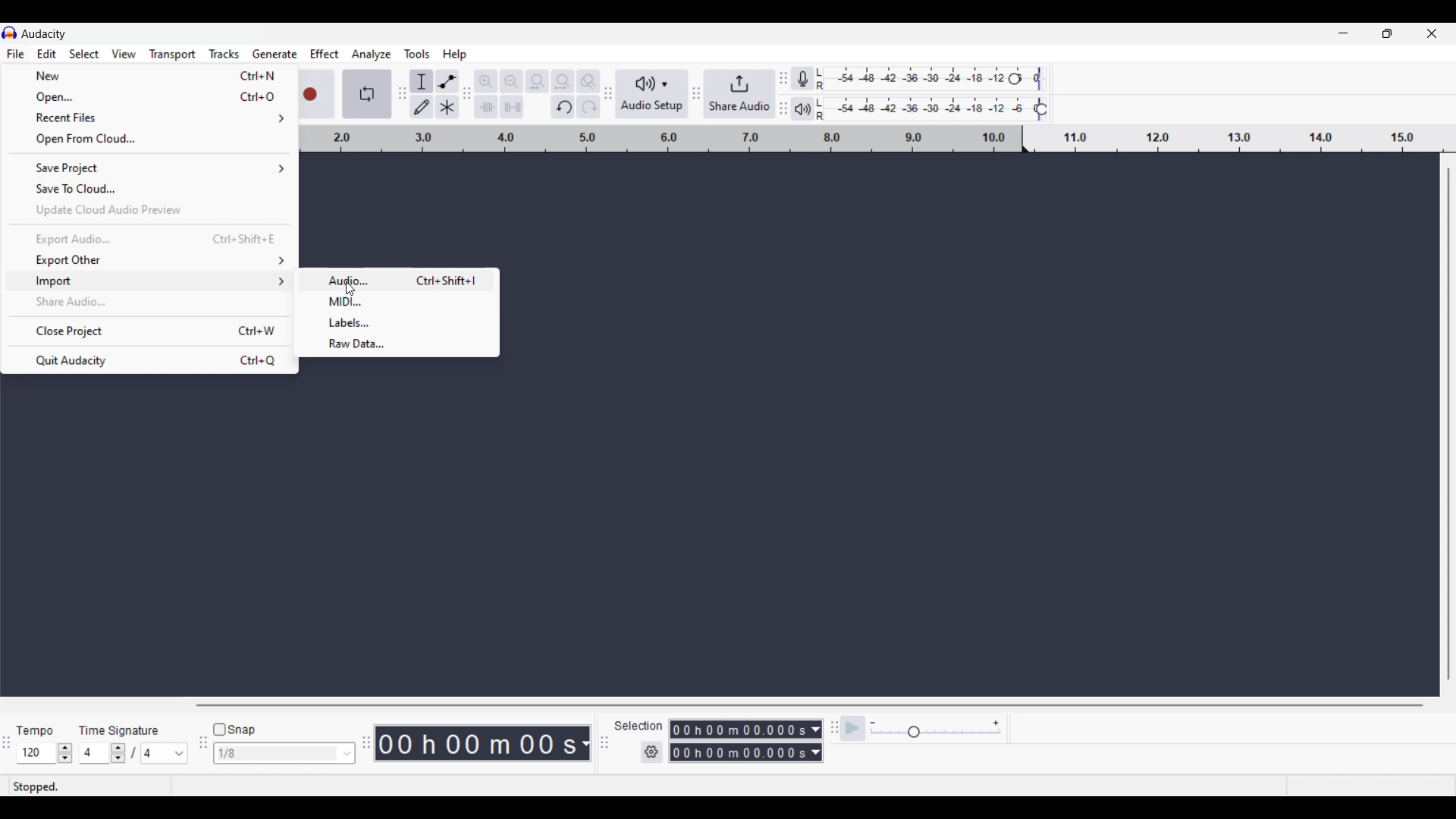  What do you see at coordinates (563, 107) in the screenshot?
I see `Undo` at bounding box center [563, 107].